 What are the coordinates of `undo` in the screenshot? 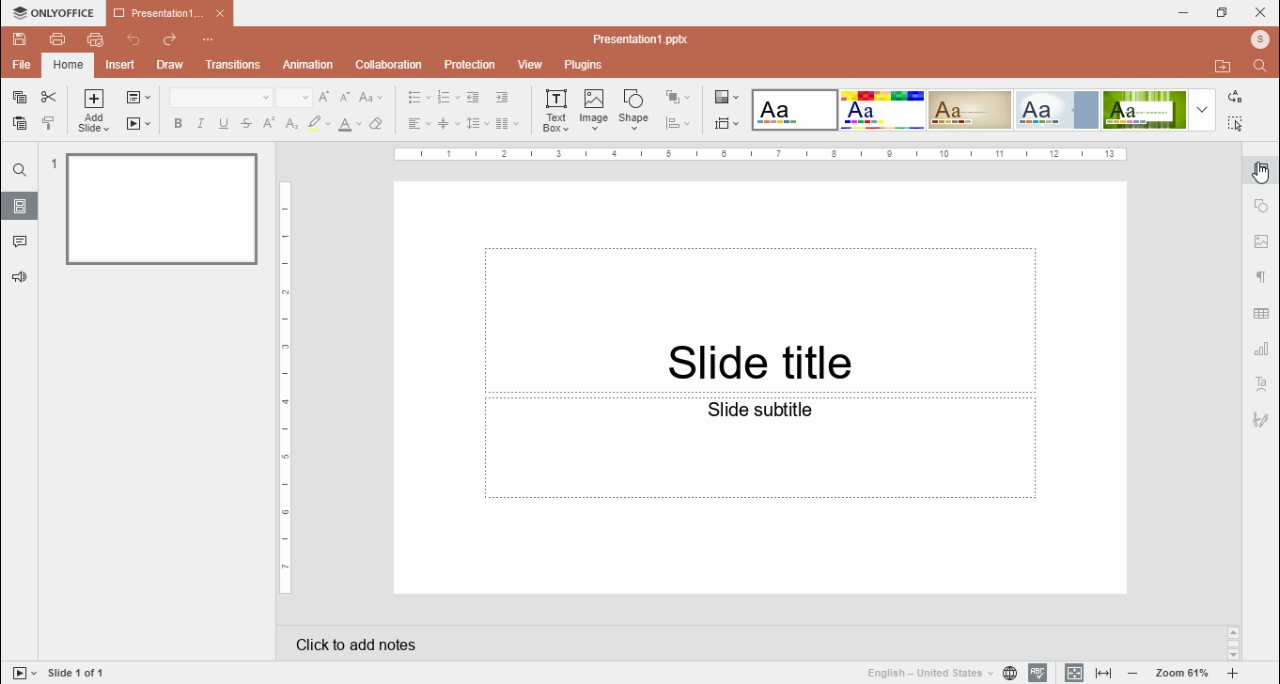 It's located at (135, 40).